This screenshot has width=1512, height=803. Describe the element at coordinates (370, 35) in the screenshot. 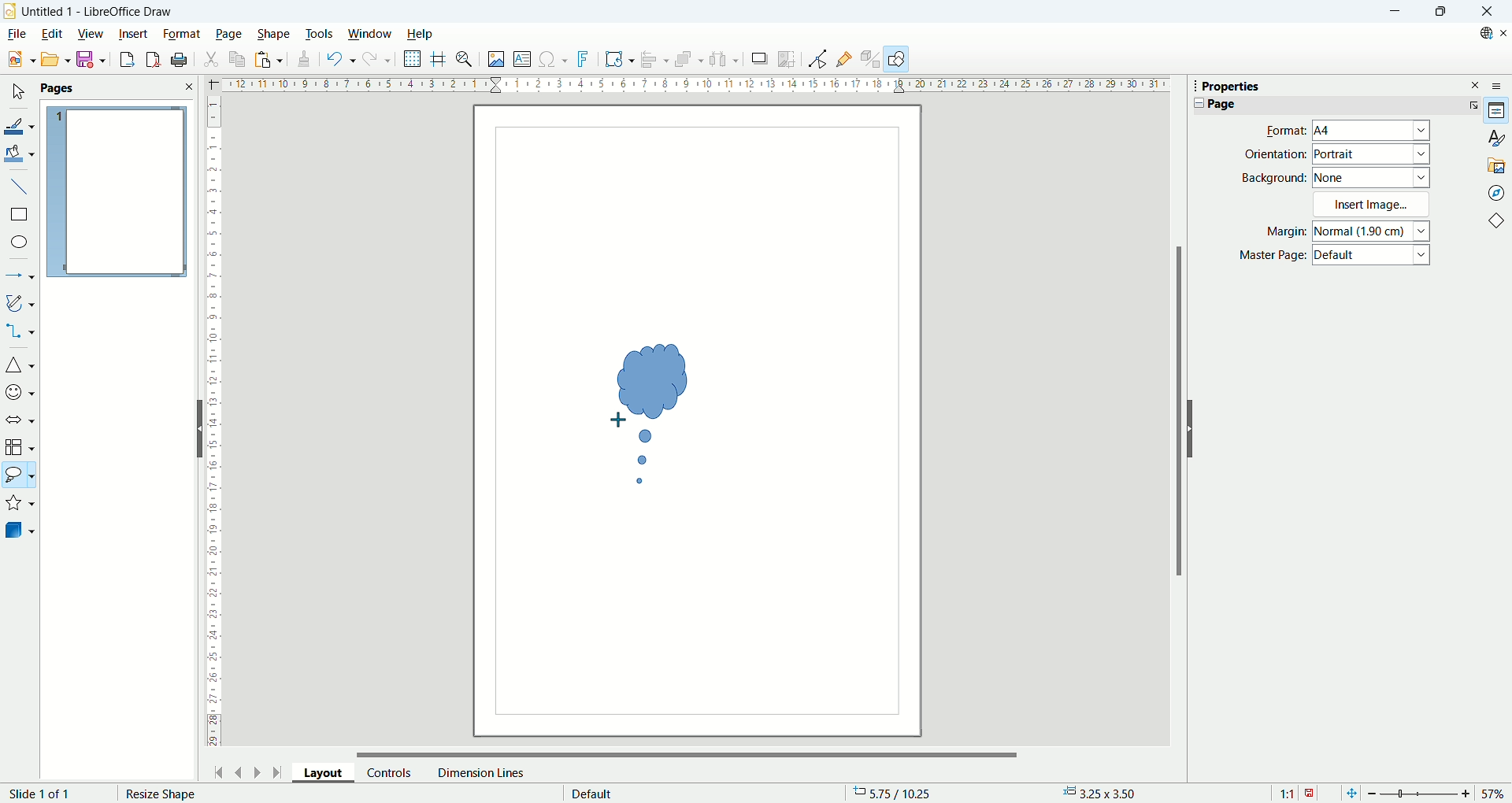

I see `window` at that location.